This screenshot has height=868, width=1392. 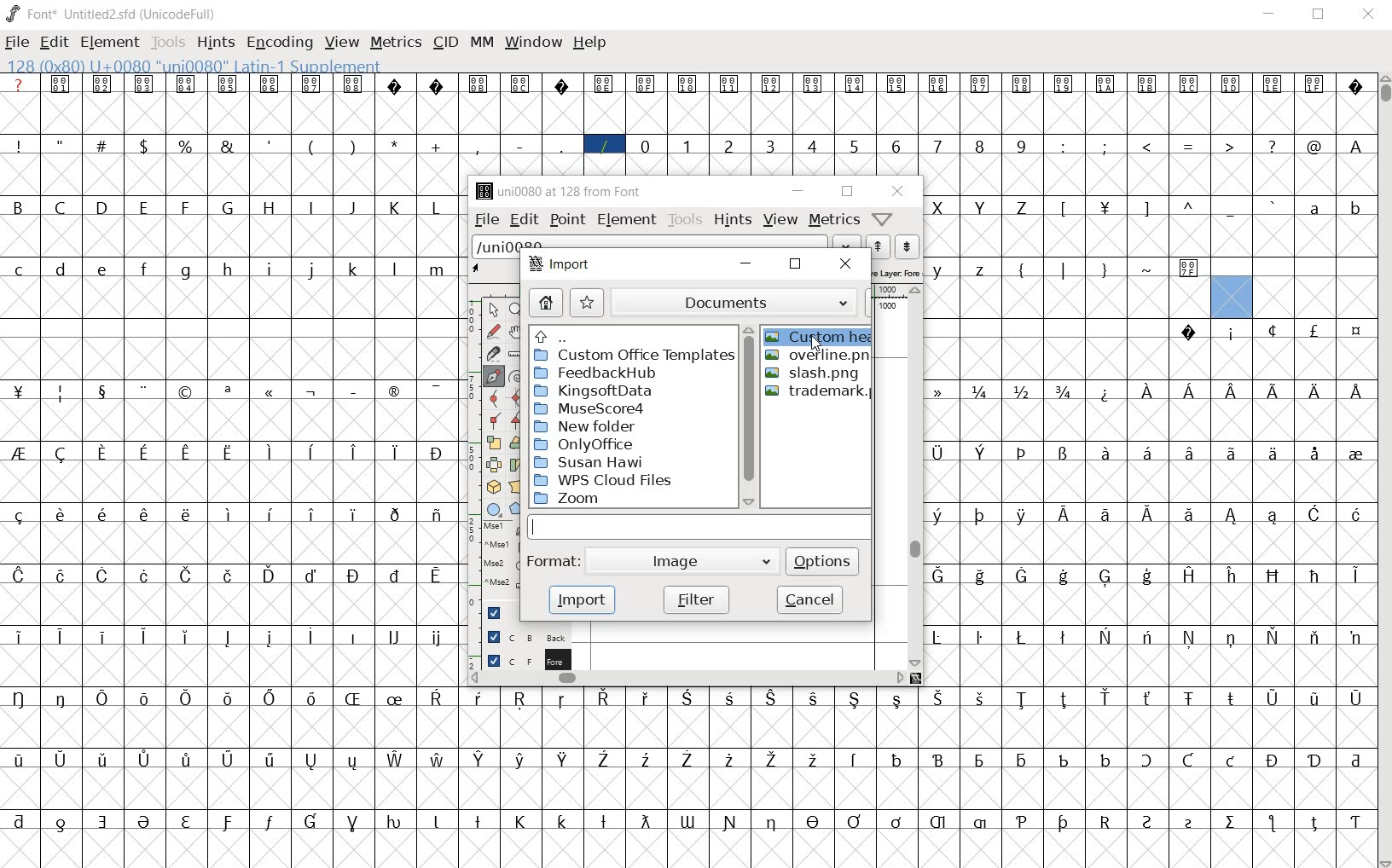 What do you see at coordinates (197, 65) in the screenshot?
I see `GLYPHY INFO` at bounding box center [197, 65].